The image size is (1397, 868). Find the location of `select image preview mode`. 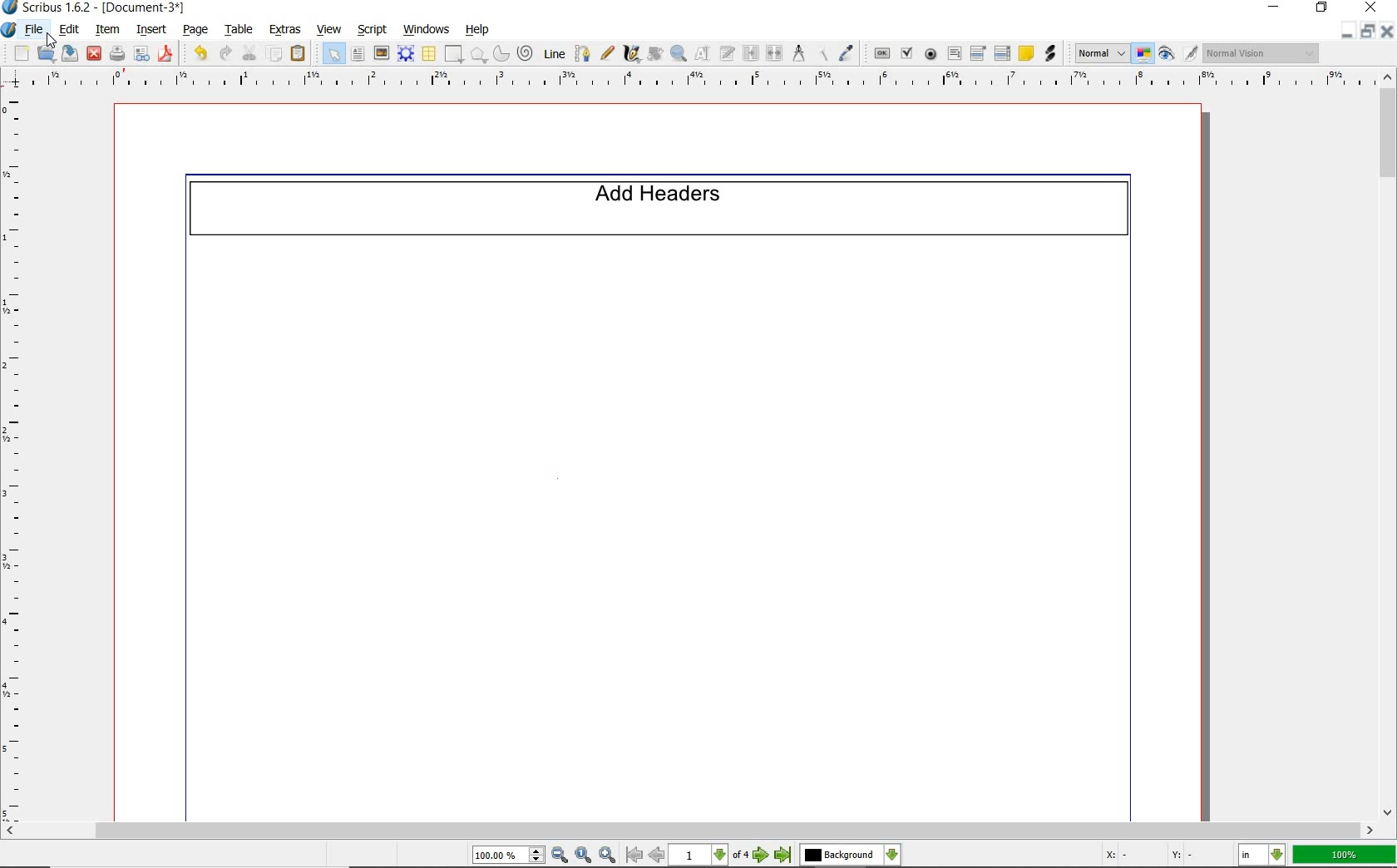

select image preview mode is located at coordinates (1102, 52).